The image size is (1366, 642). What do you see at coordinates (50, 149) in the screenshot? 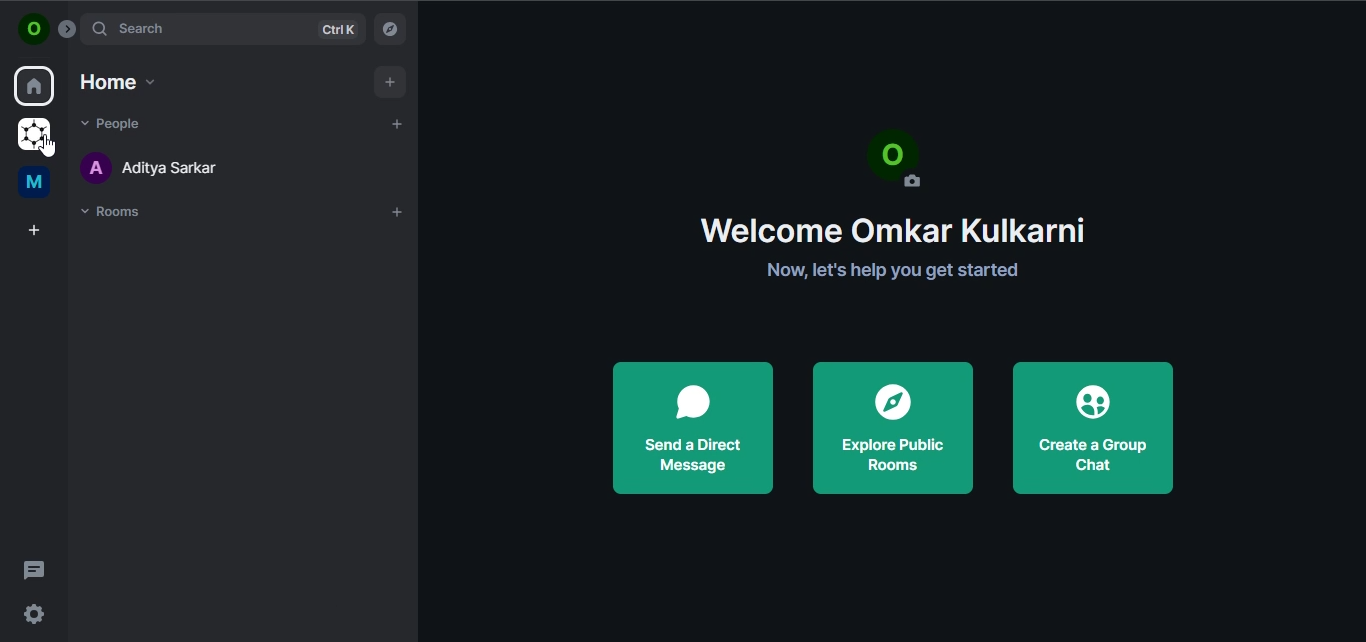
I see `cursor` at bounding box center [50, 149].